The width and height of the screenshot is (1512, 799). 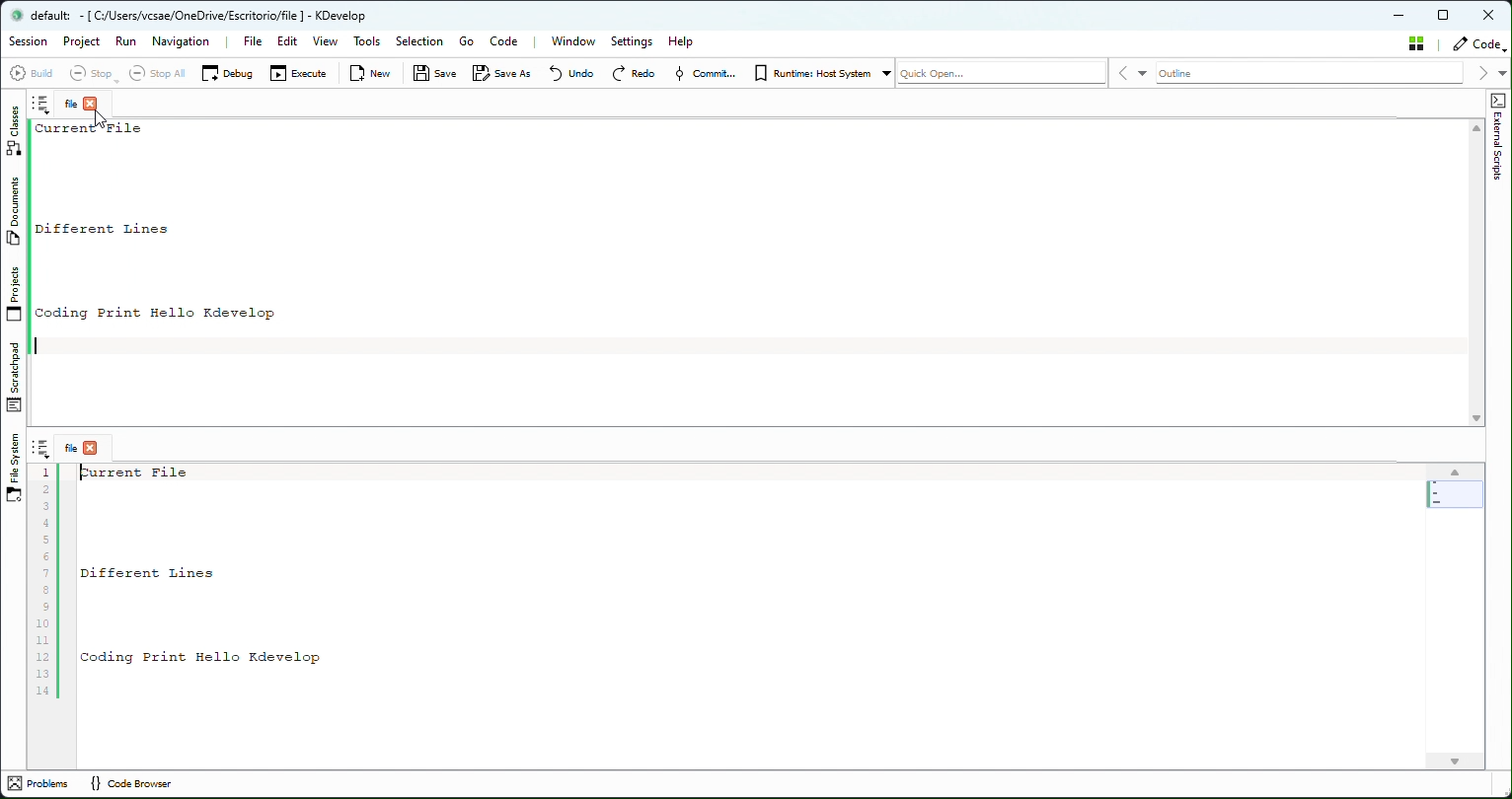 What do you see at coordinates (12, 213) in the screenshot?
I see `Documents` at bounding box center [12, 213].